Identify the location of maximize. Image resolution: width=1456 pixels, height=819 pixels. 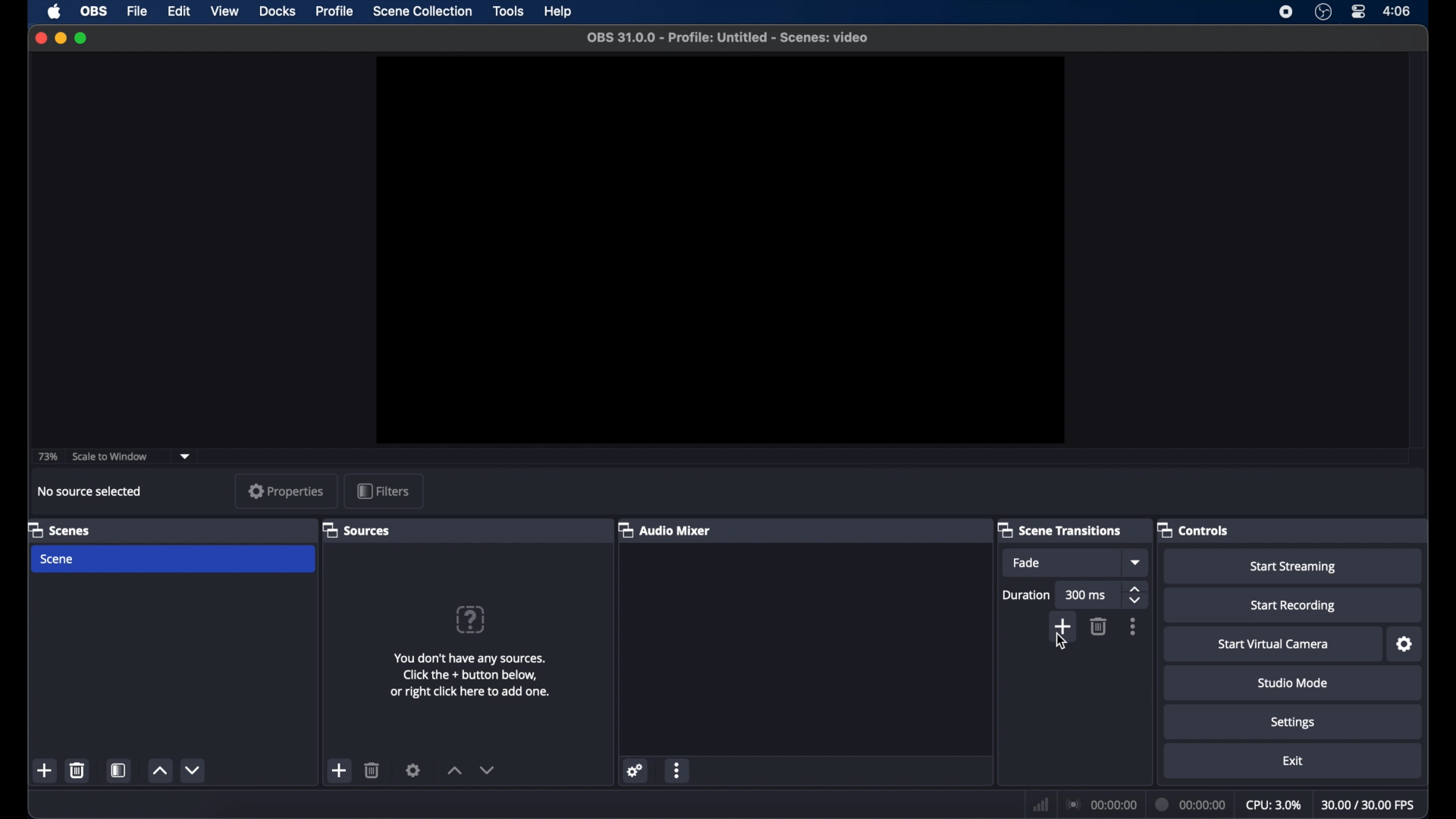
(83, 38).